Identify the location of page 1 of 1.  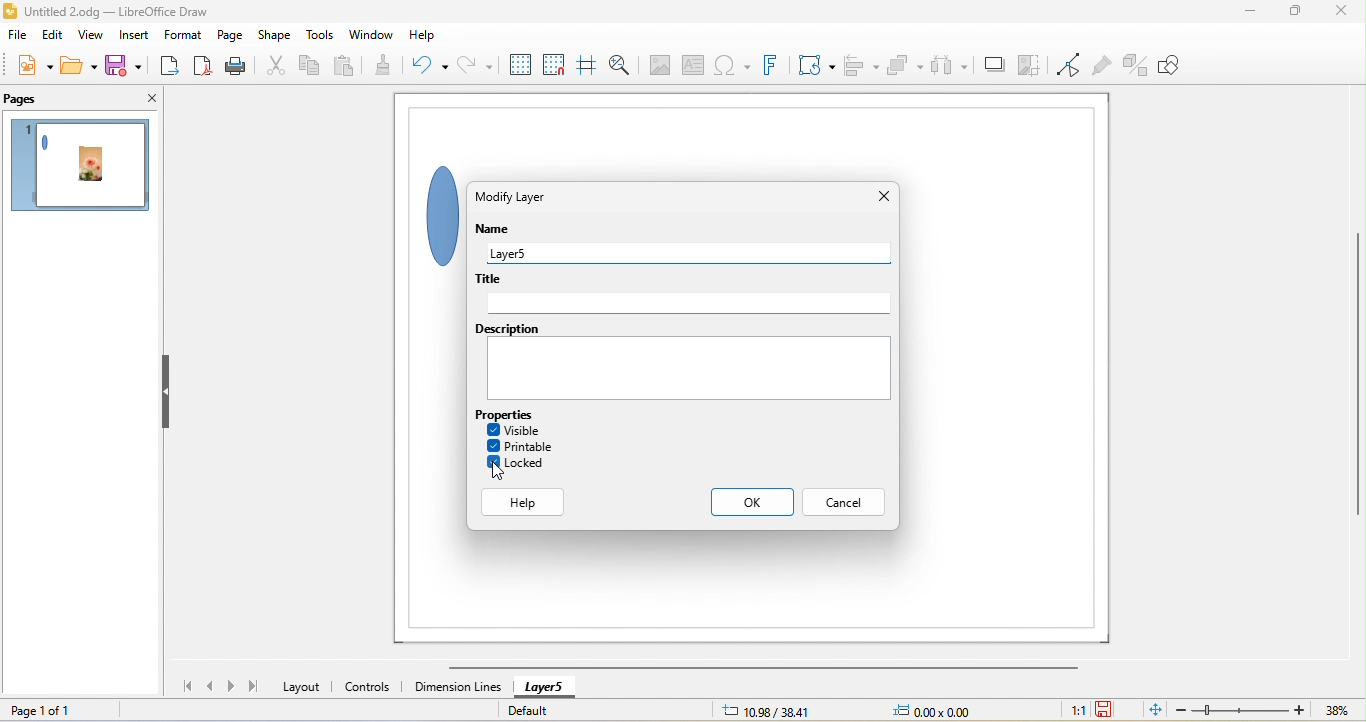
(41, 710).